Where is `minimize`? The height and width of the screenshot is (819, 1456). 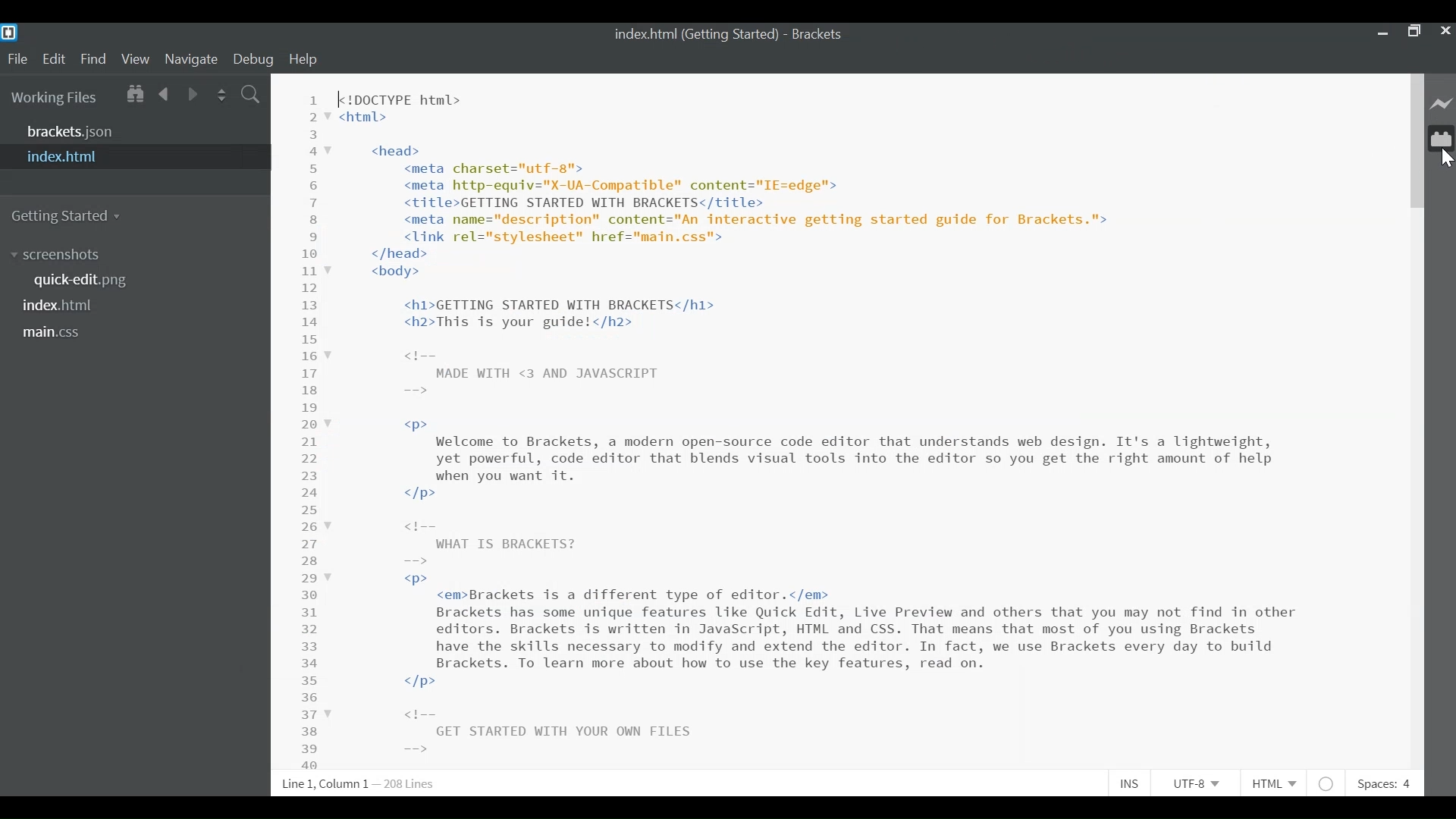
minimize is located at coordinates (1382, 33).